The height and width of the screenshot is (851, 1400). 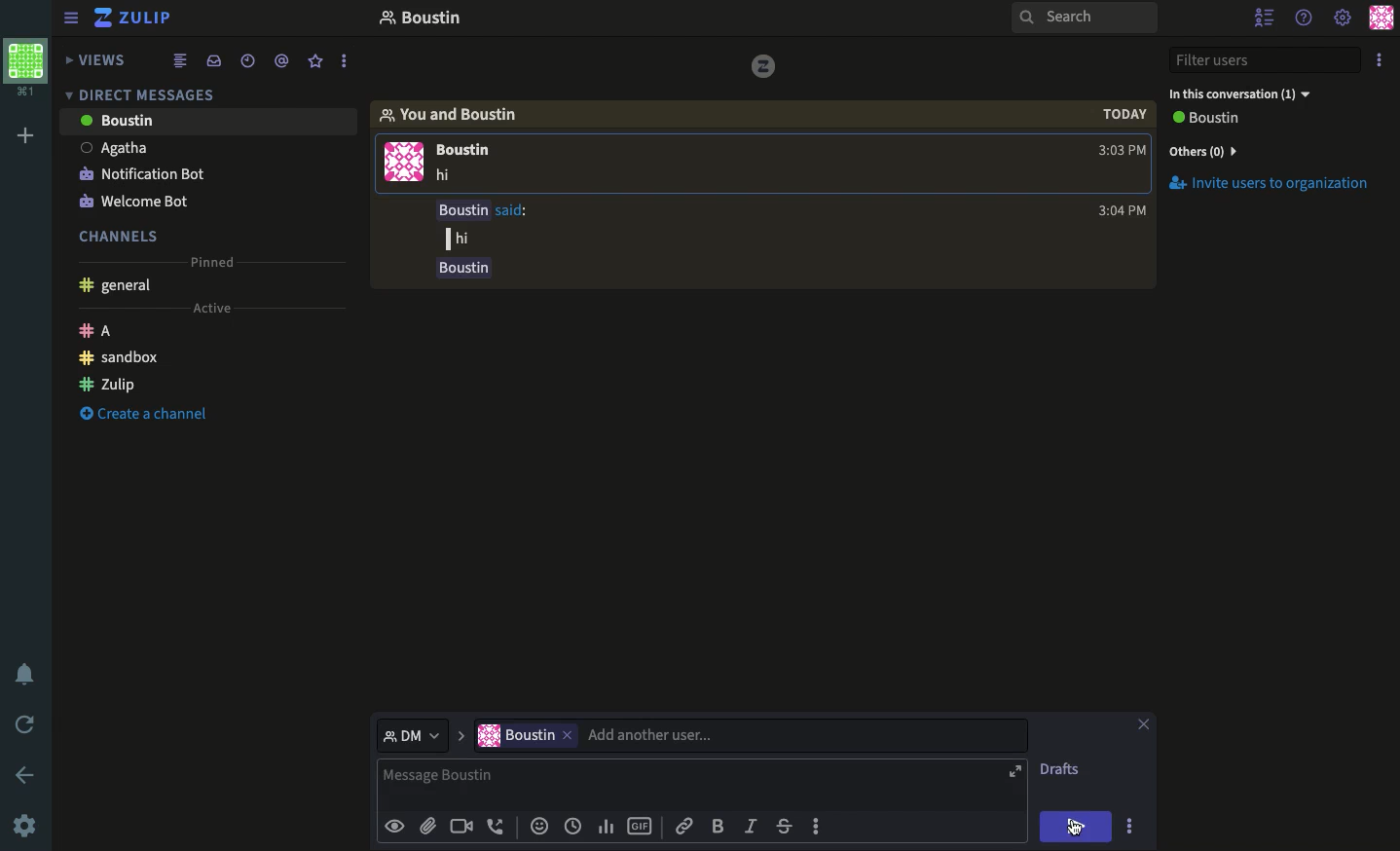 I want to click on USER, so click(x=471, y=152).